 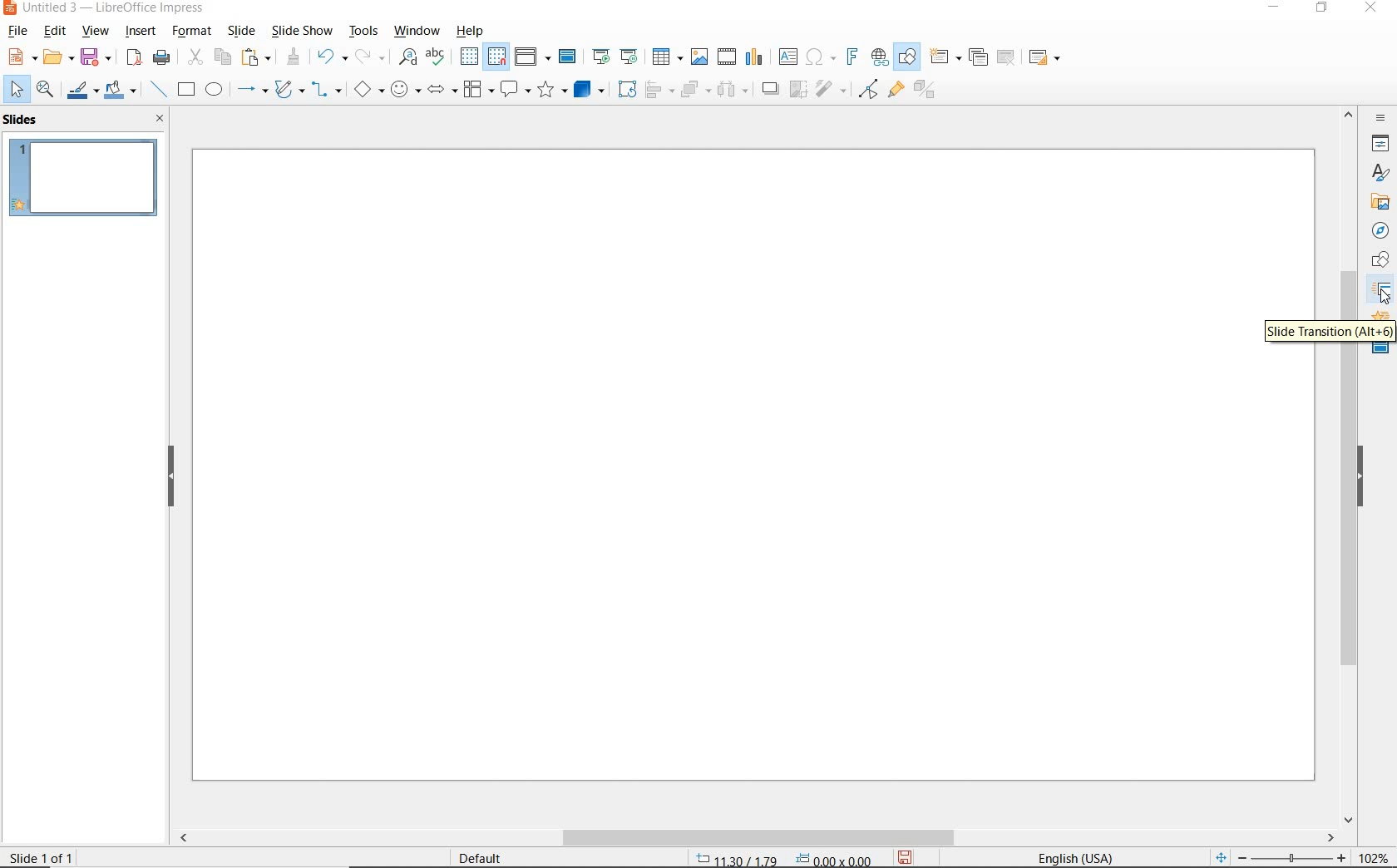 I want to click on INSERT LINE, so click(x=160, y=90).